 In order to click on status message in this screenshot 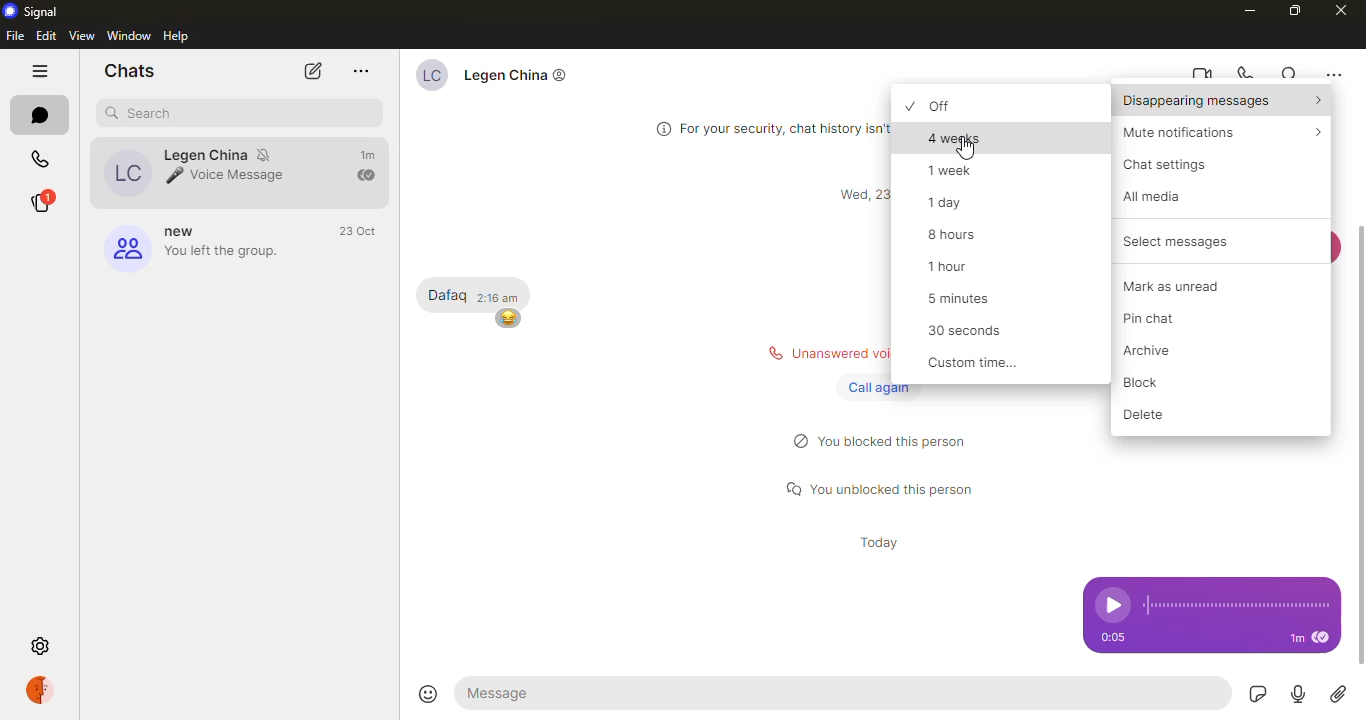, I will do `click(887, 441)`.